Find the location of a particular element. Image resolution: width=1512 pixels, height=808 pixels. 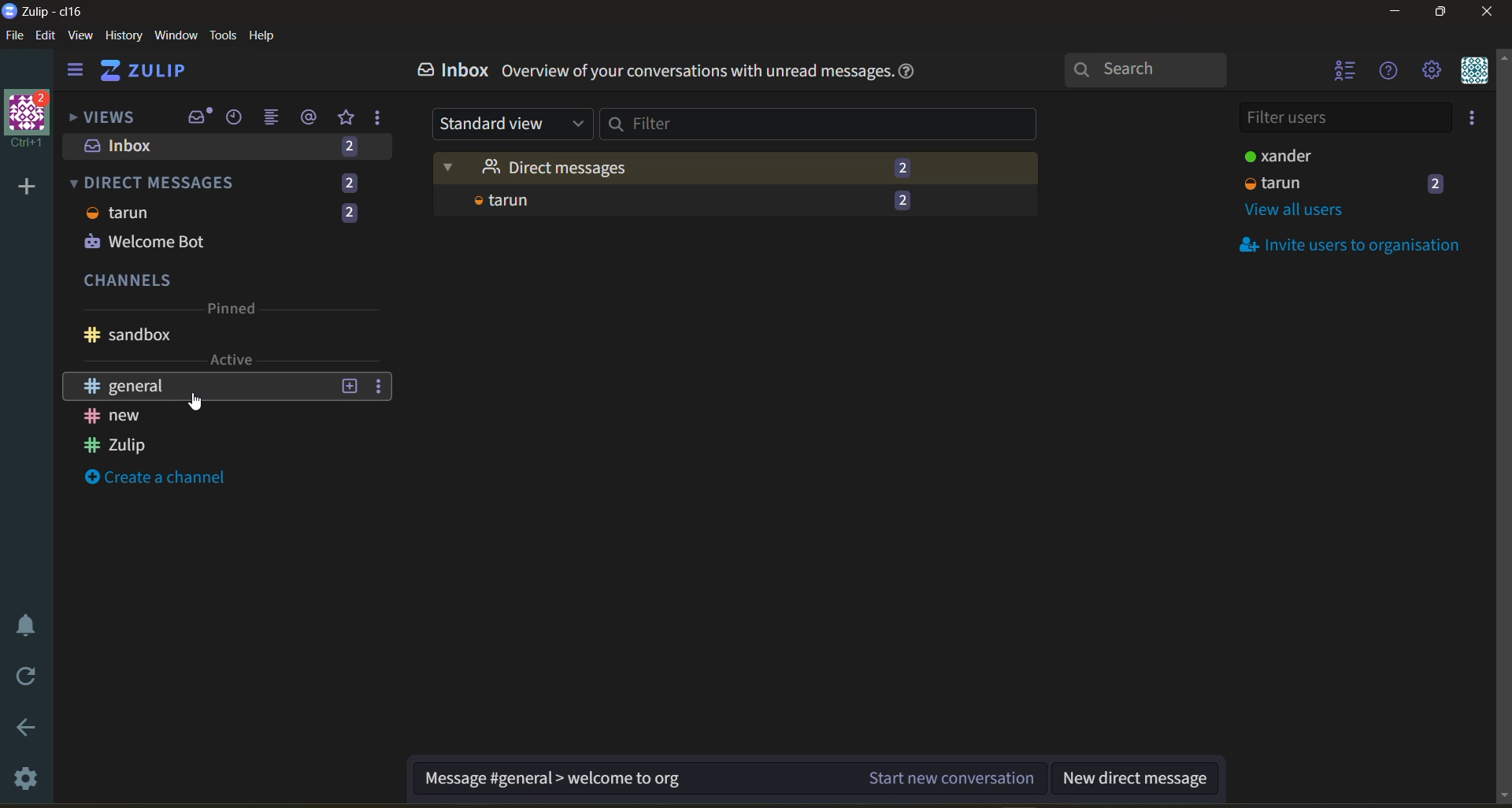

organisation is located at coordinates (31, 120).